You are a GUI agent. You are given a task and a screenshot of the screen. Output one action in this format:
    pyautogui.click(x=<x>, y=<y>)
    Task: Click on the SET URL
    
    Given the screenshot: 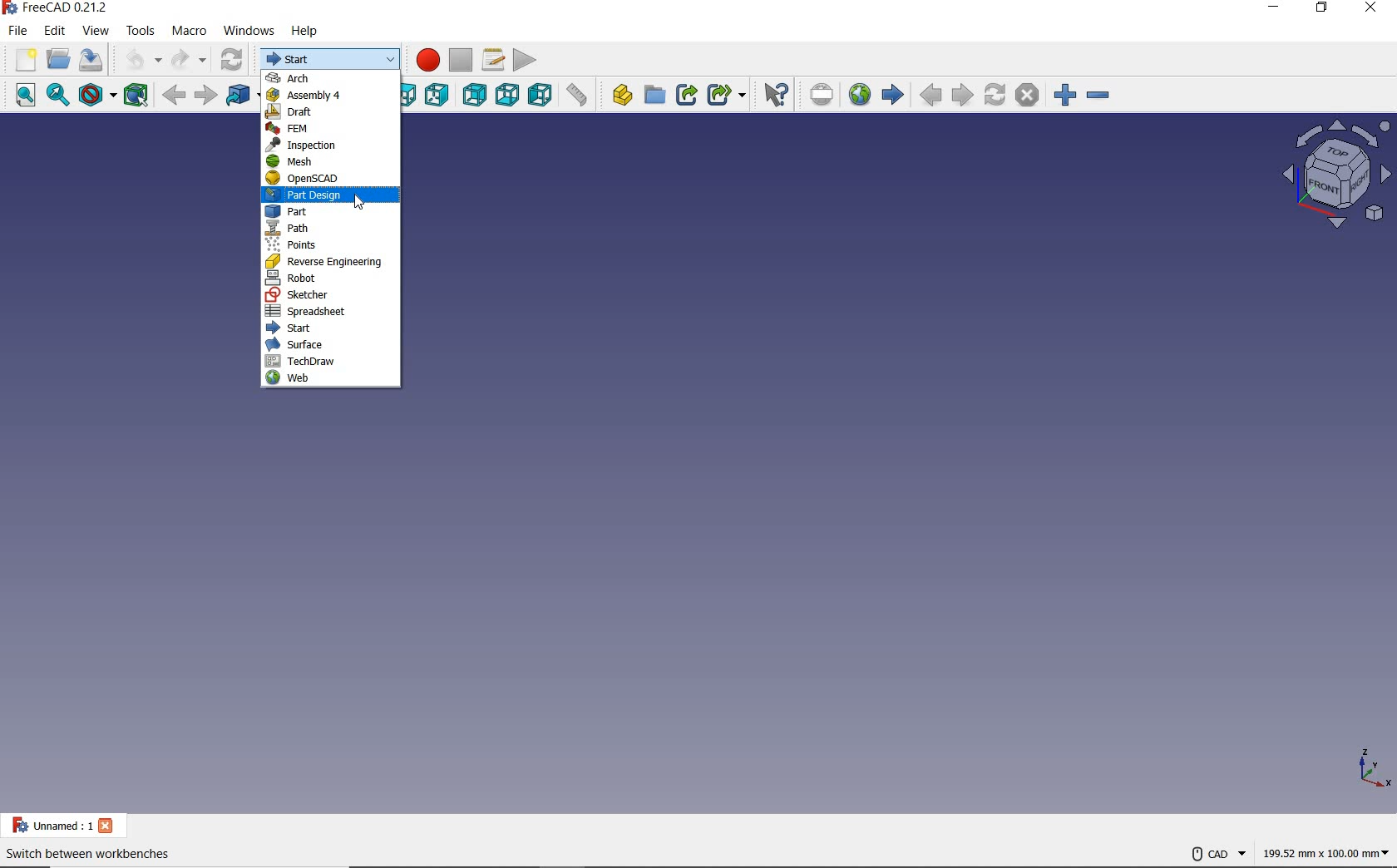 What is the action you would take?
    pyautogui.click(x=818, y=92)
    